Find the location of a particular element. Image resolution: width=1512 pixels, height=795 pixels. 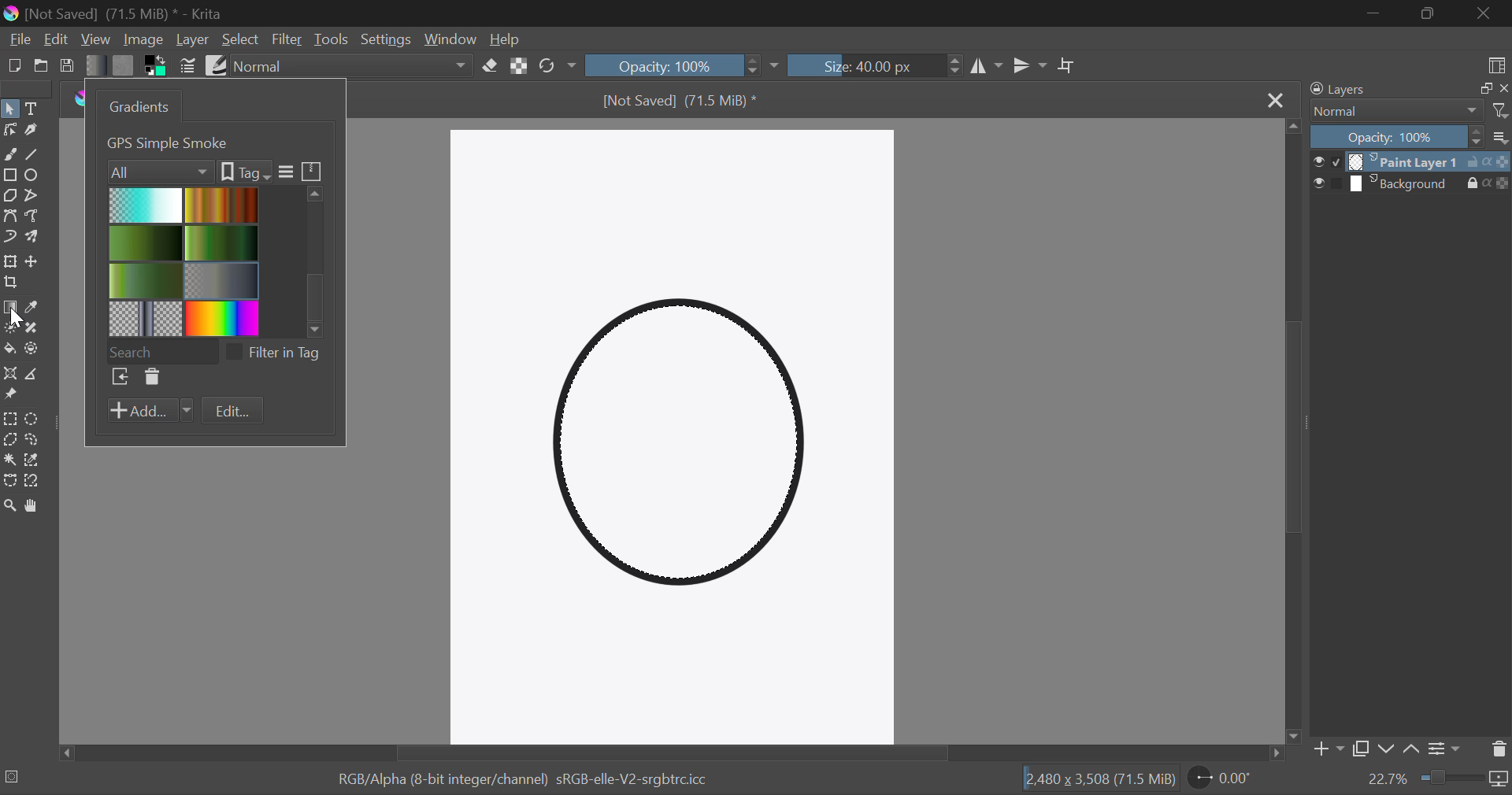

Tools is located at coordinates (332, 39).